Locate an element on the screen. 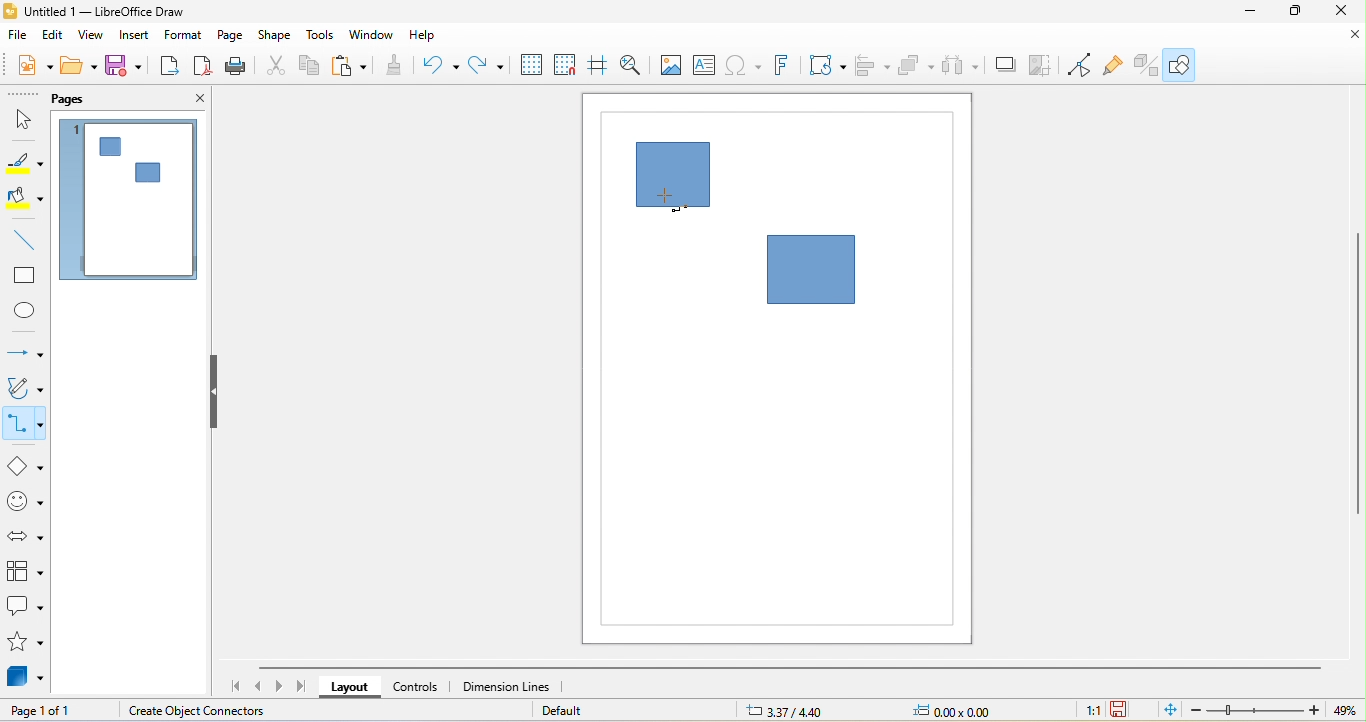  basic shapes is located at coordinates (24, 466).